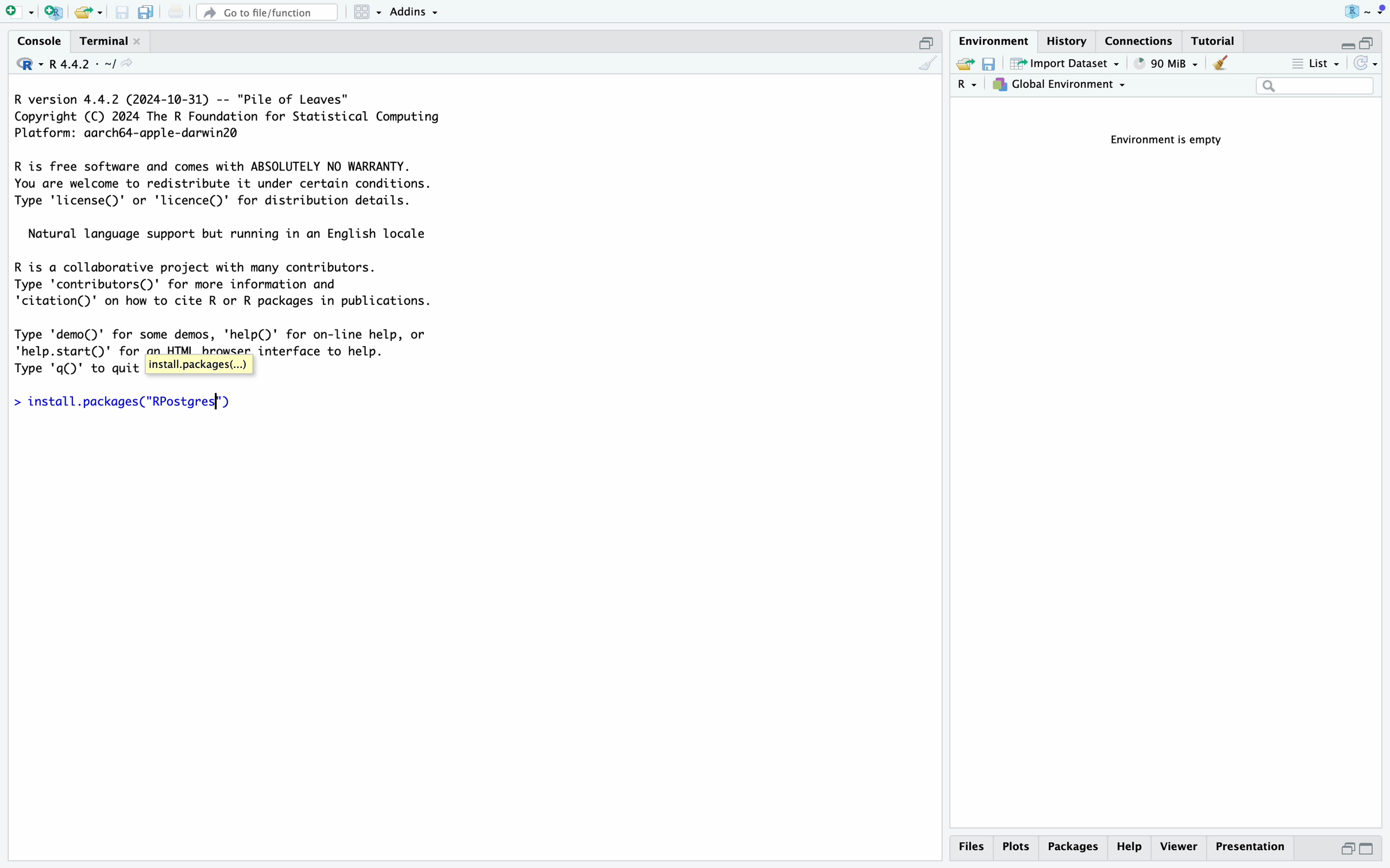 The width and height of the screenshot is (1390, 868). Describe the element at coordinates (1169, 64) in the screenshot. I see `148 MiB` at that location.